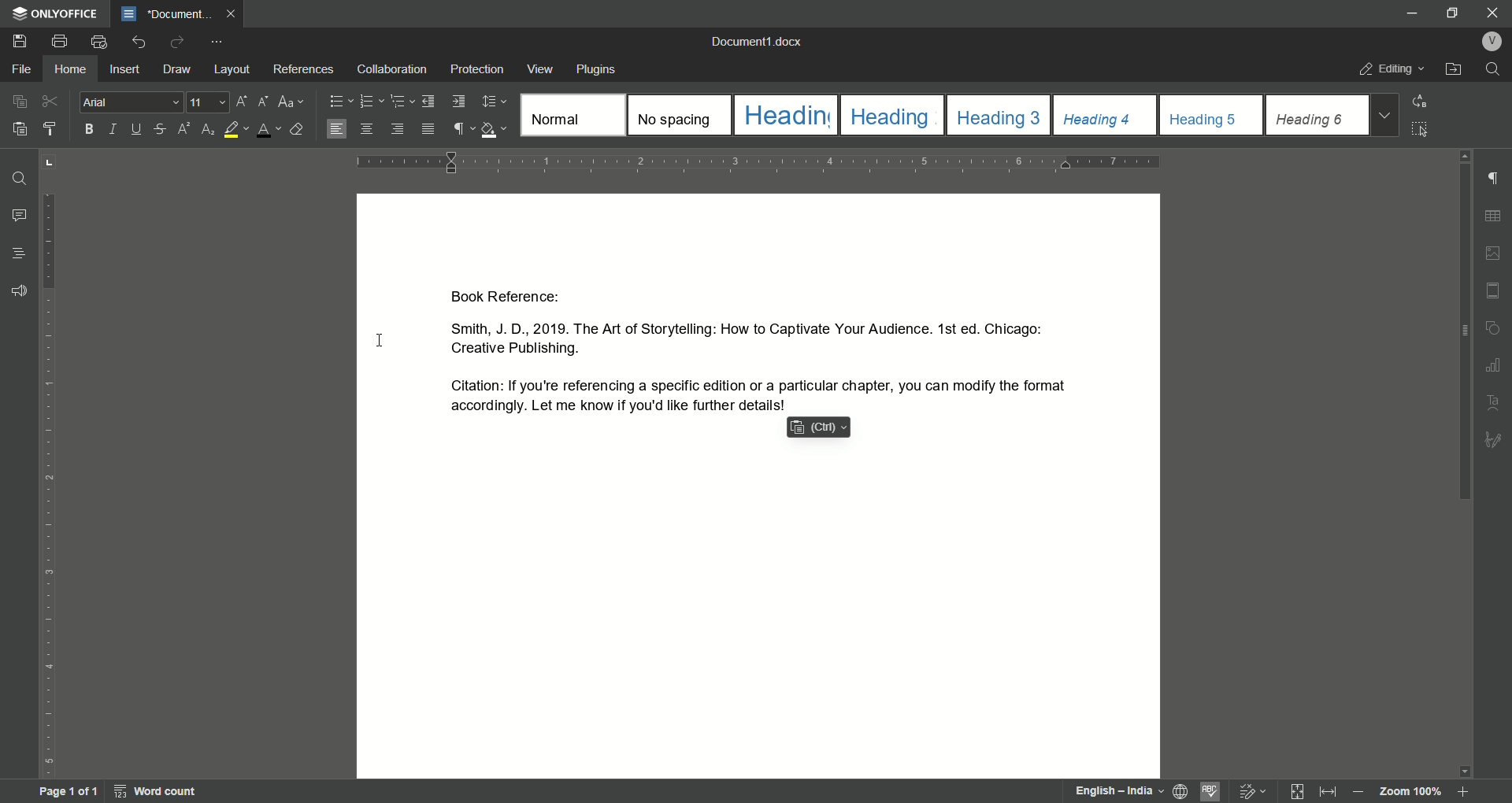  Describe the element at coordinates (1317, 114) in the screenshot. I see `headings` at that location.